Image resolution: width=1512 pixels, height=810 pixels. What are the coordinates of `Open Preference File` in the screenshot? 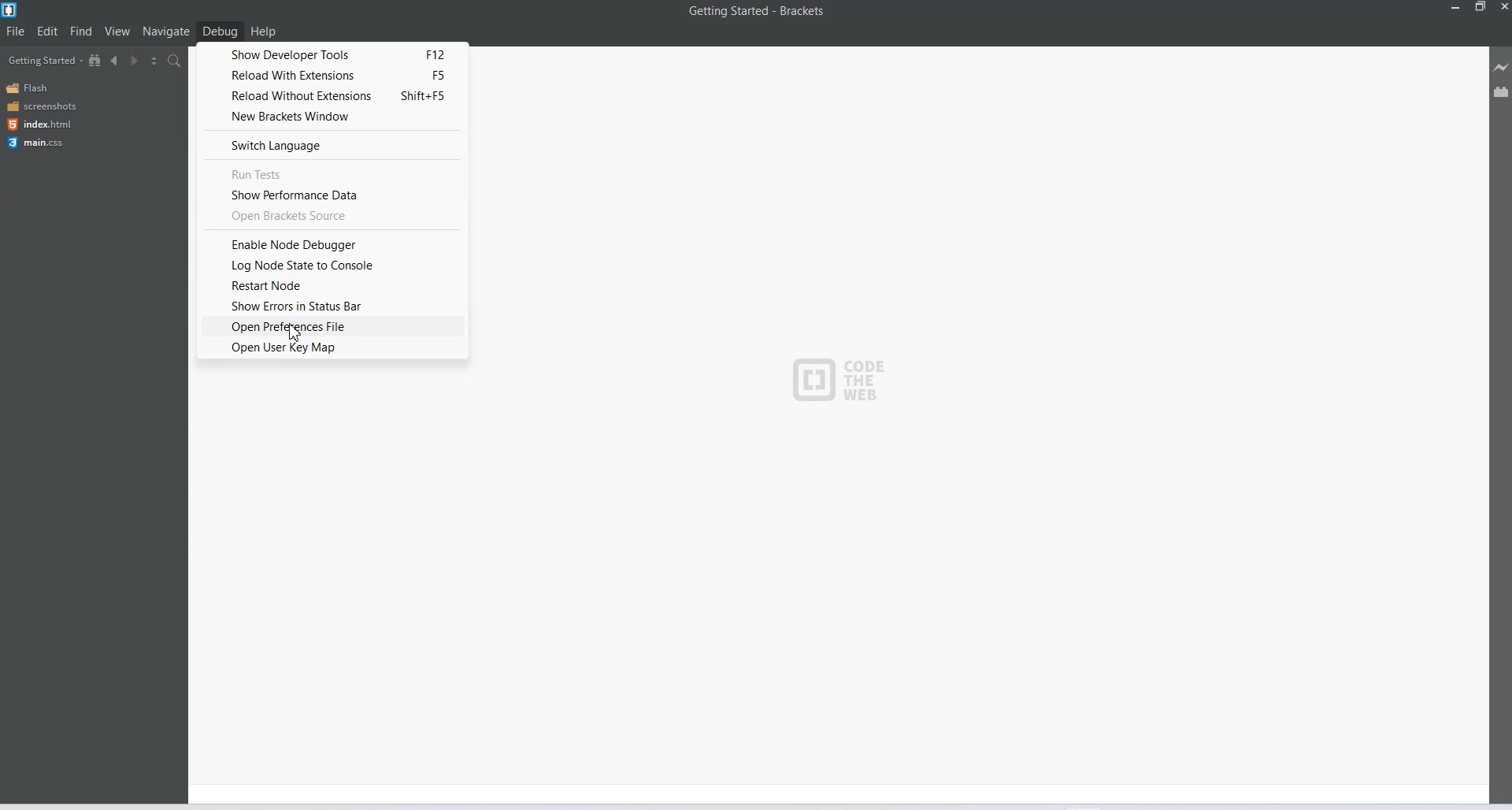 It's located at (332, 326).